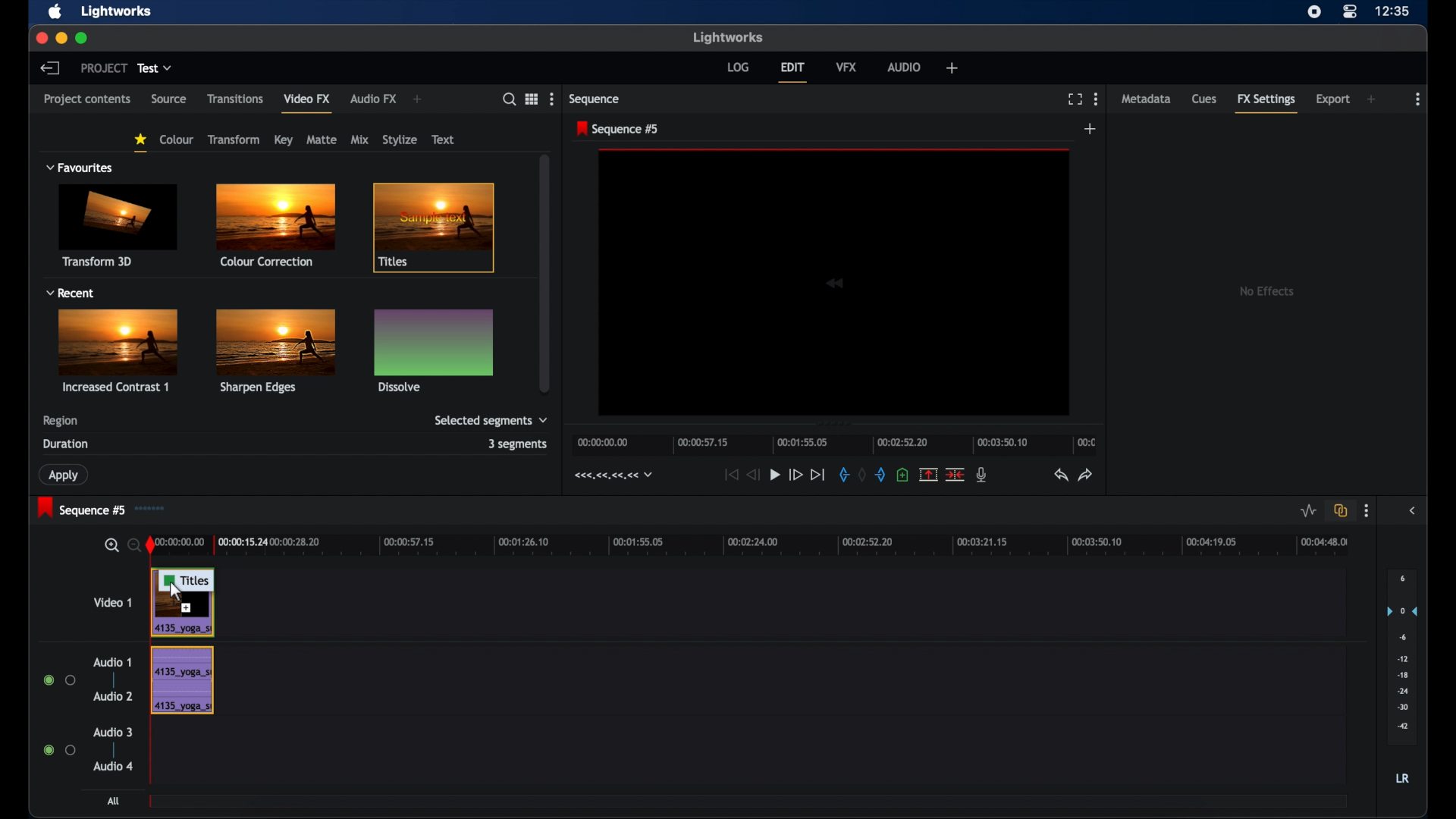  I want to click on options, so click(531, 99).